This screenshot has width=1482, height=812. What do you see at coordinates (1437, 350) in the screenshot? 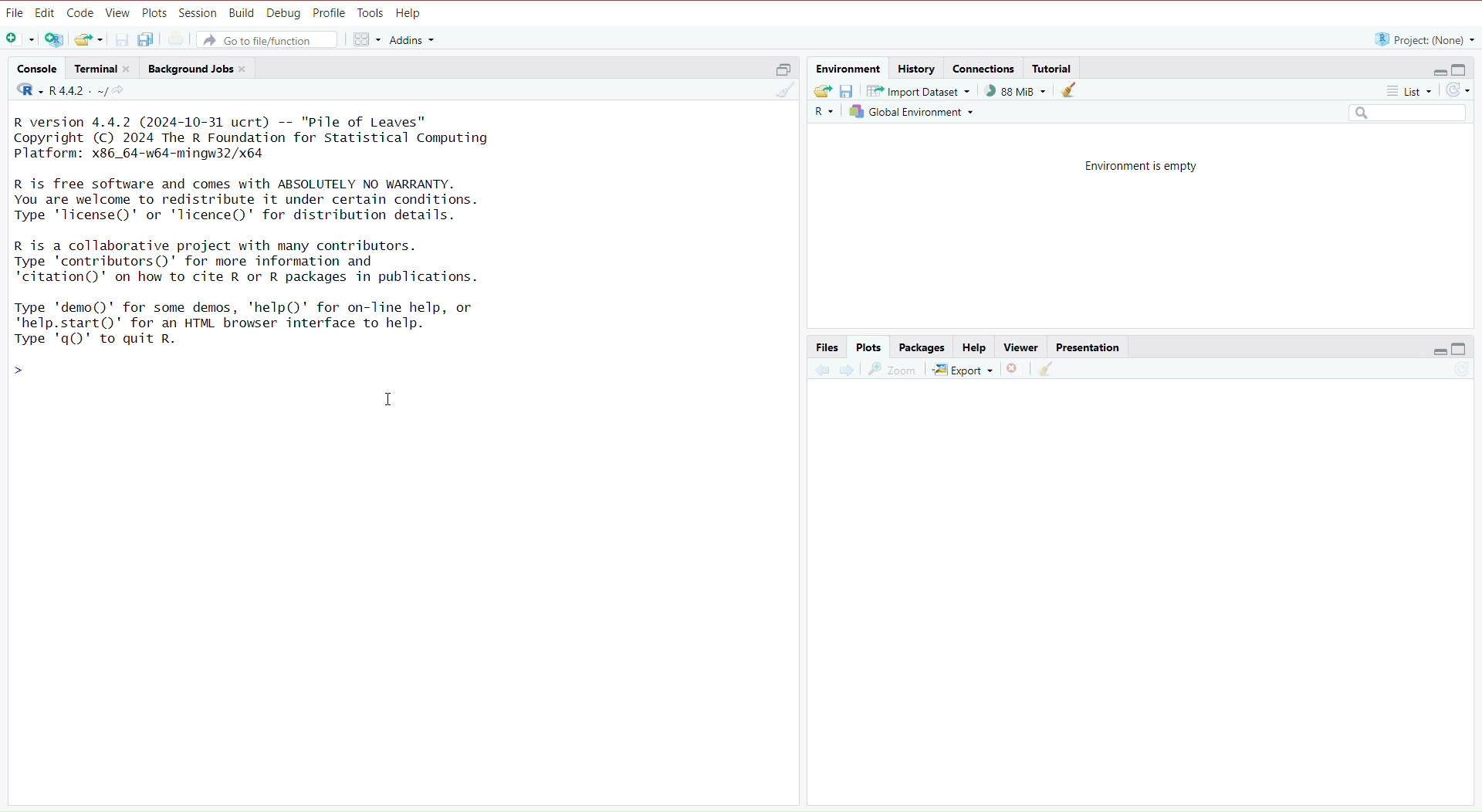
I see `expand` at bounding box center [1437, 350].